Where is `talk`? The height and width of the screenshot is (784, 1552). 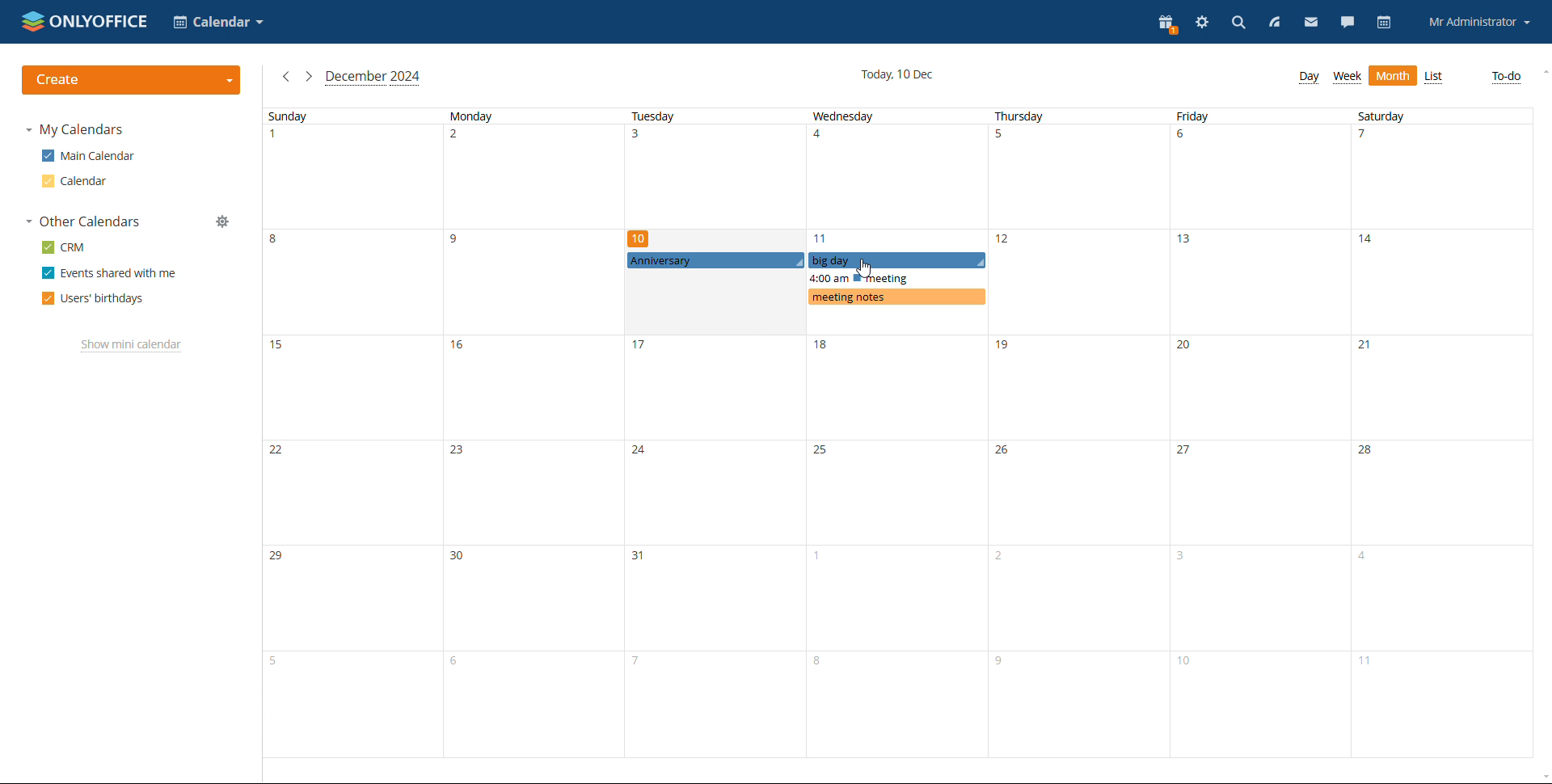 talk is located at coordinates (1347, 22).